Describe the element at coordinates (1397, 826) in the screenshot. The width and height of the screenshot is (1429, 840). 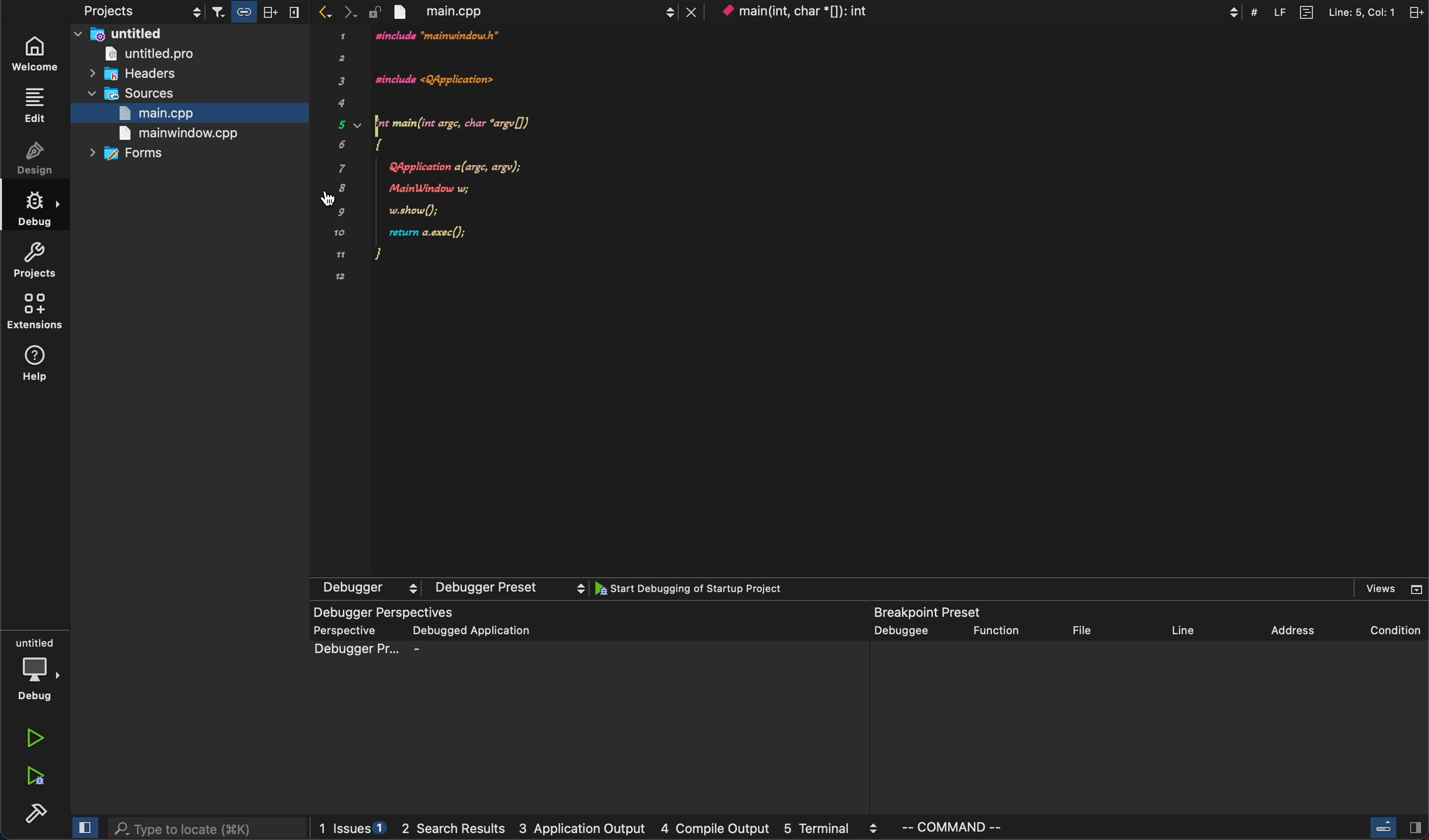
I see `close slidebar` at that location.